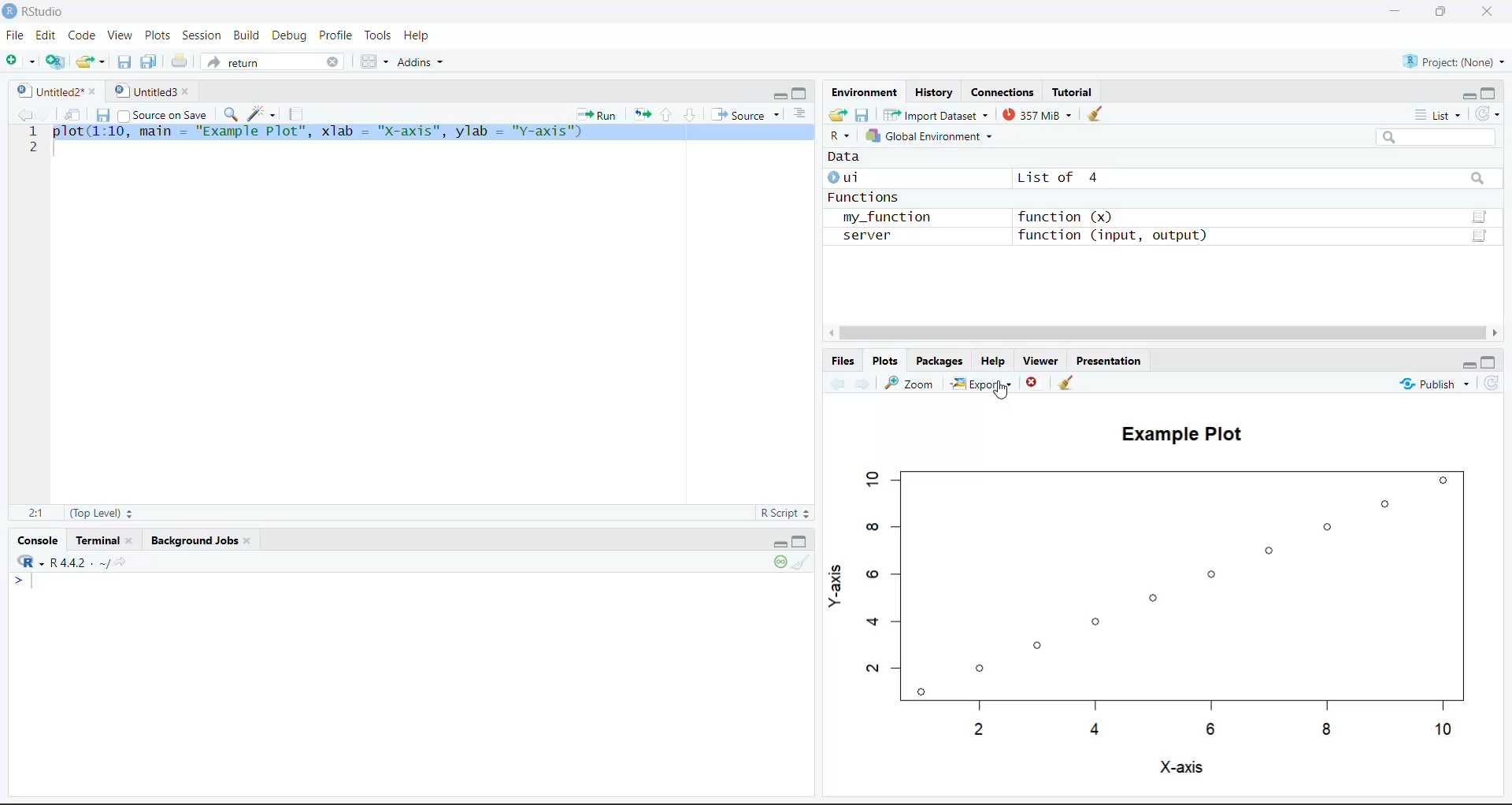 This screenshot has width=1512, height=805. What do you see at coordinates (1468, 365) in the screenshot?
I see `Minimize` at bounding box center [1468, 365].